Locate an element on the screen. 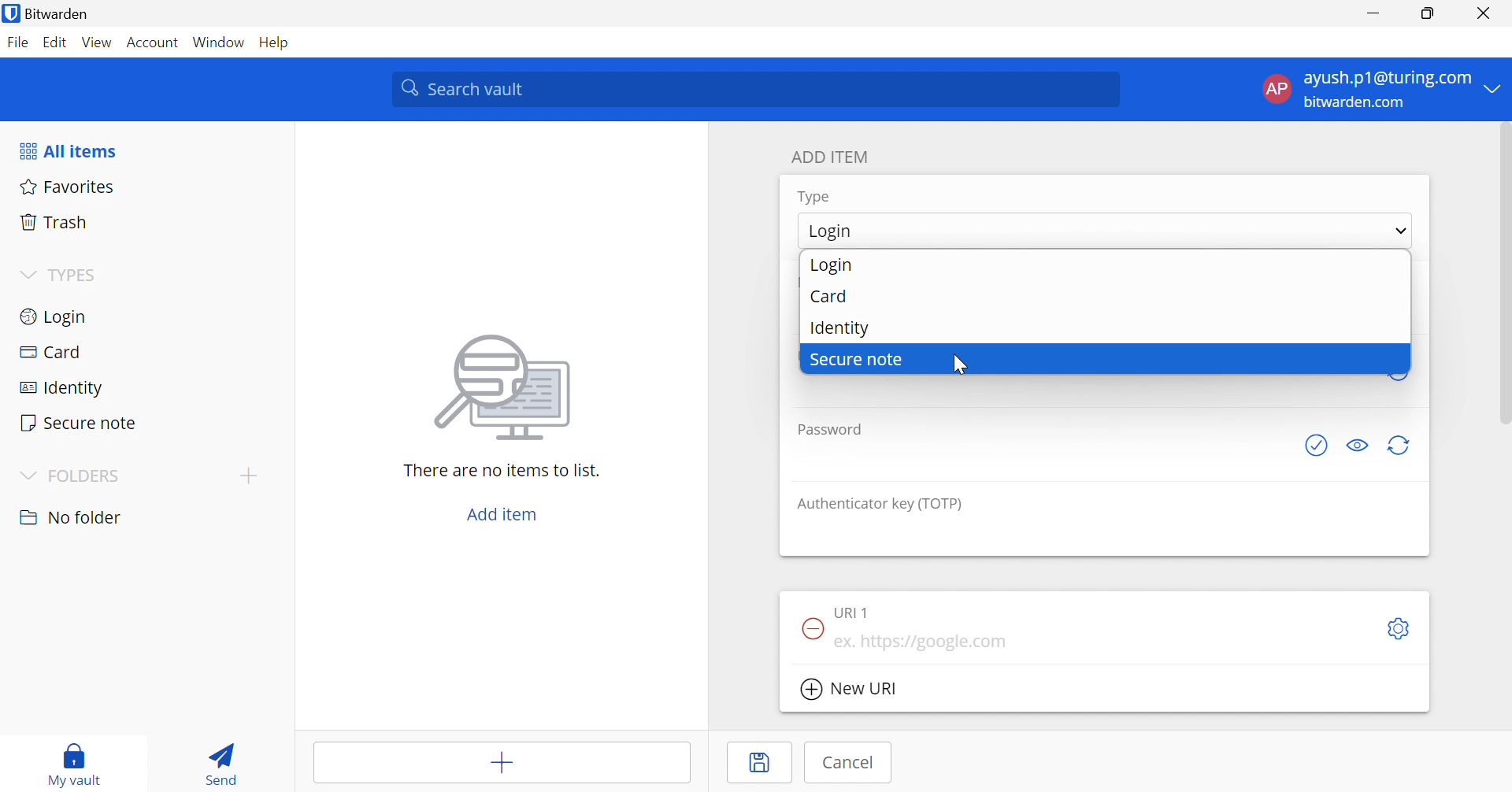  Close is located at coordinates (1483, 12).